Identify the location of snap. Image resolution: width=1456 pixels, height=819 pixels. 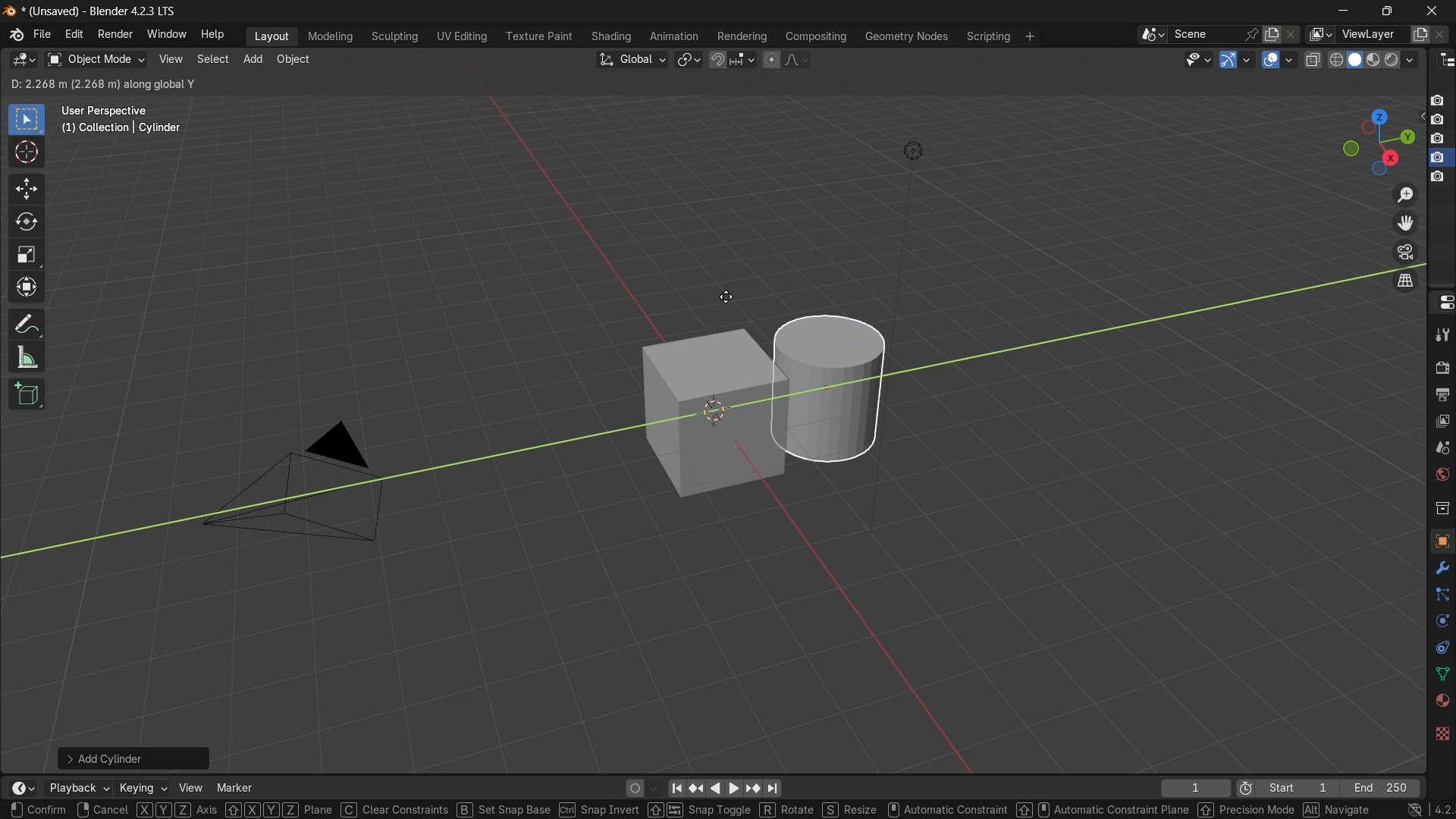
(731, 60).